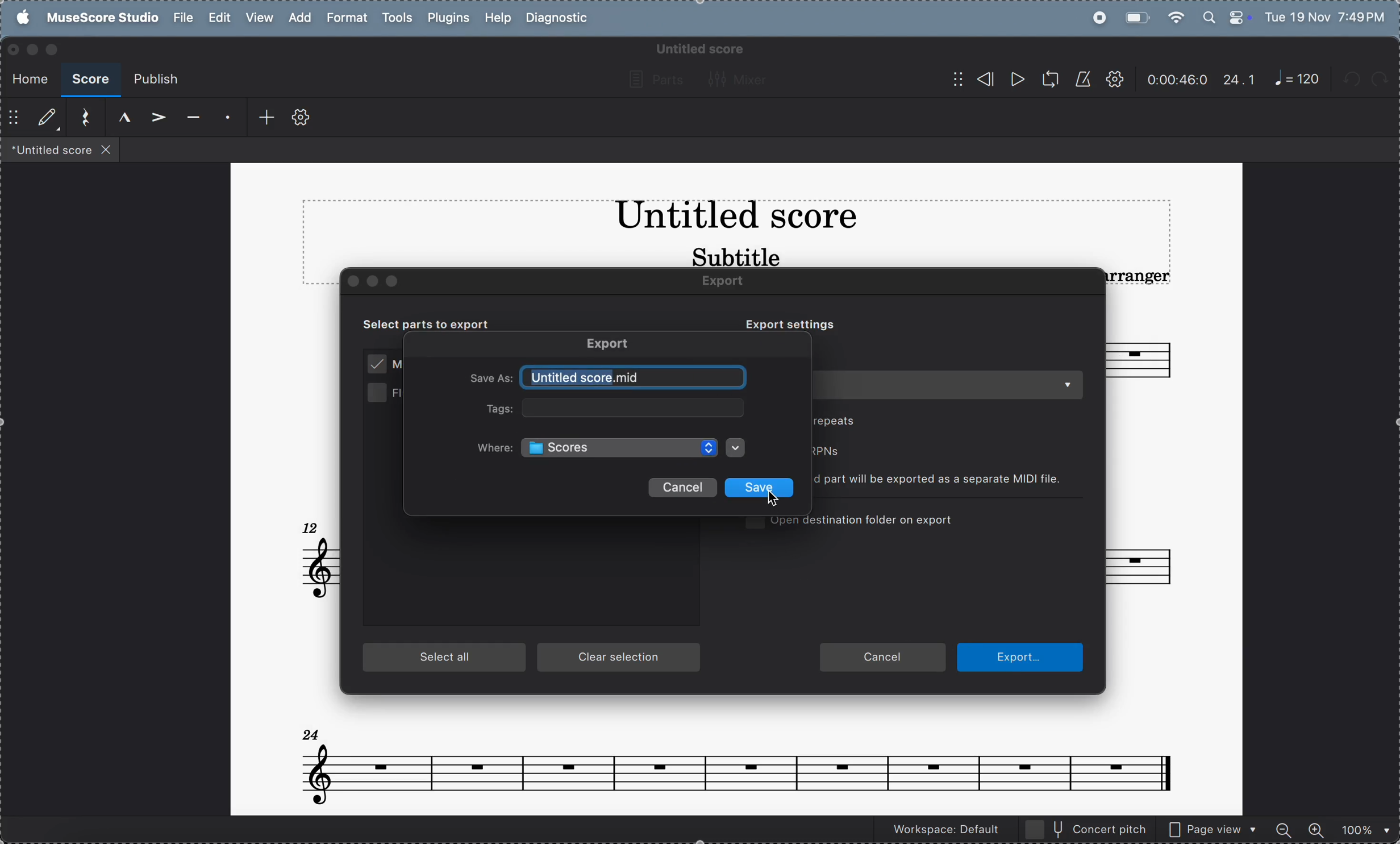 The width and height of the screenshot is (1400, 844). Describe the element at coordinates (620, 658) in the screenshot. I see `clear section` at that location.